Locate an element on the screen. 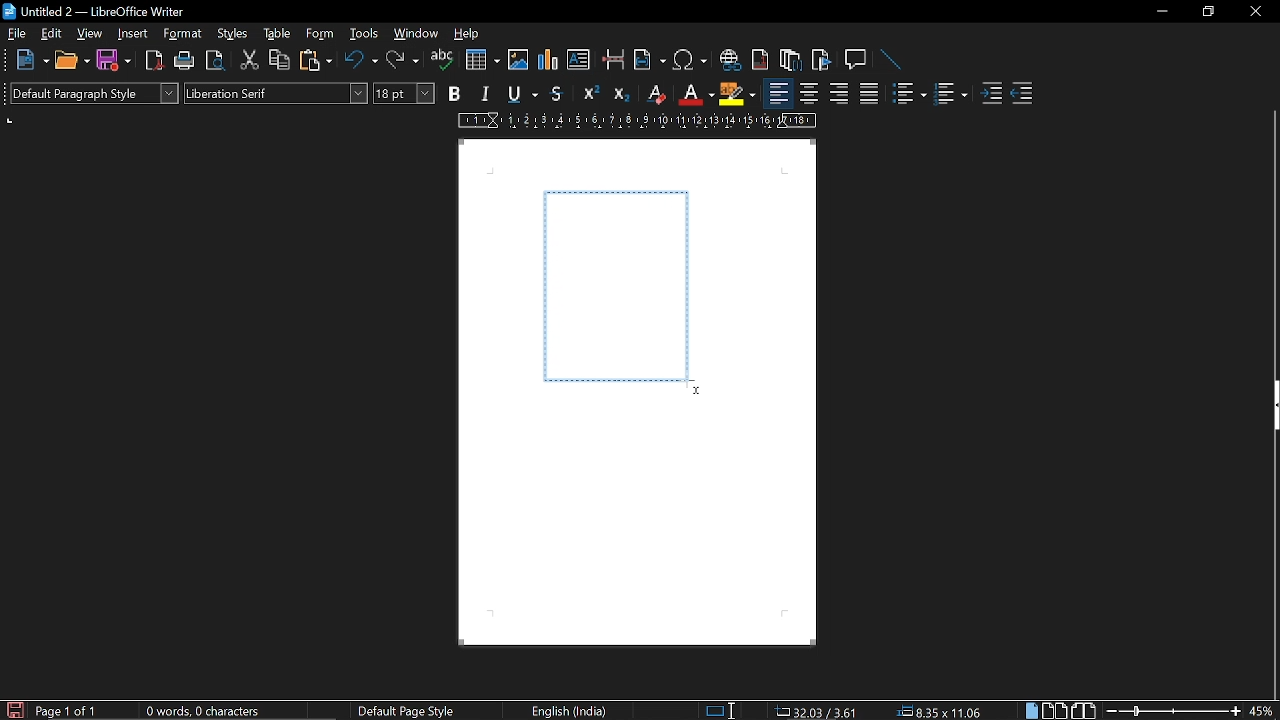  paragraph style is located at coordinates (94, 92).